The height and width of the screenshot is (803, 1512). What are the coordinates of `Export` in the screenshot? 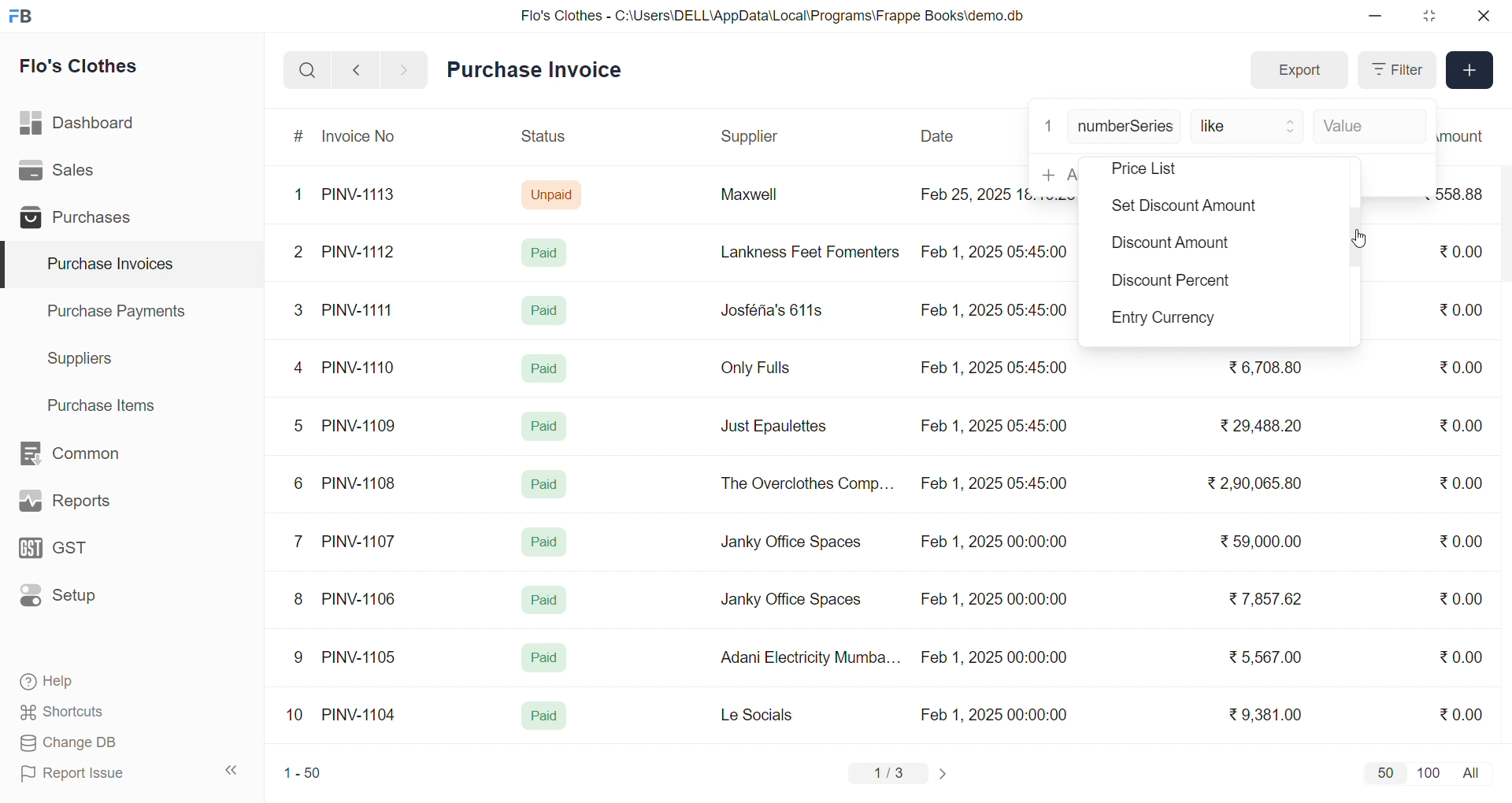 It's located at (1299, 71).